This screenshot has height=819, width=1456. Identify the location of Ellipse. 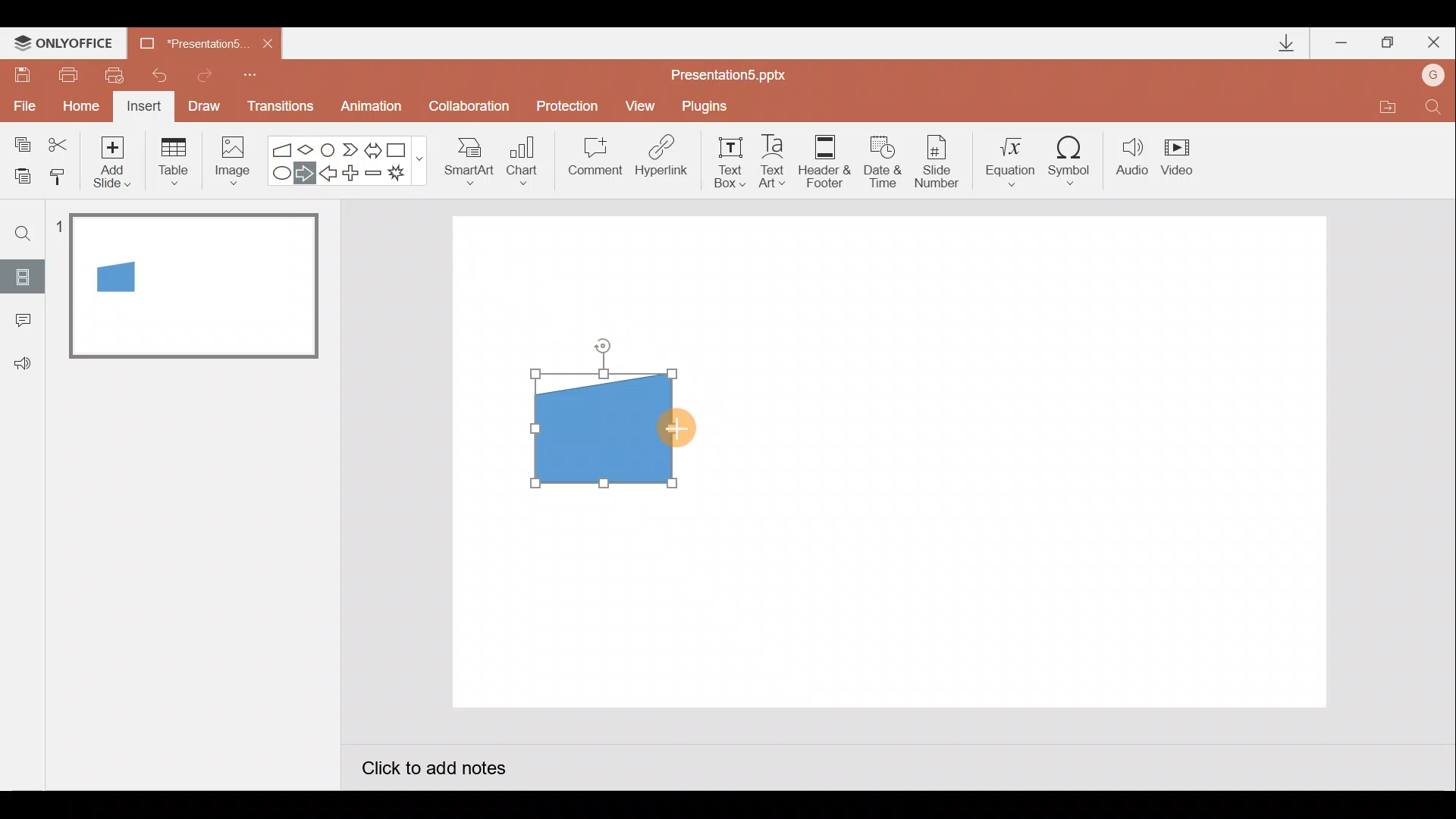
(278, 174).